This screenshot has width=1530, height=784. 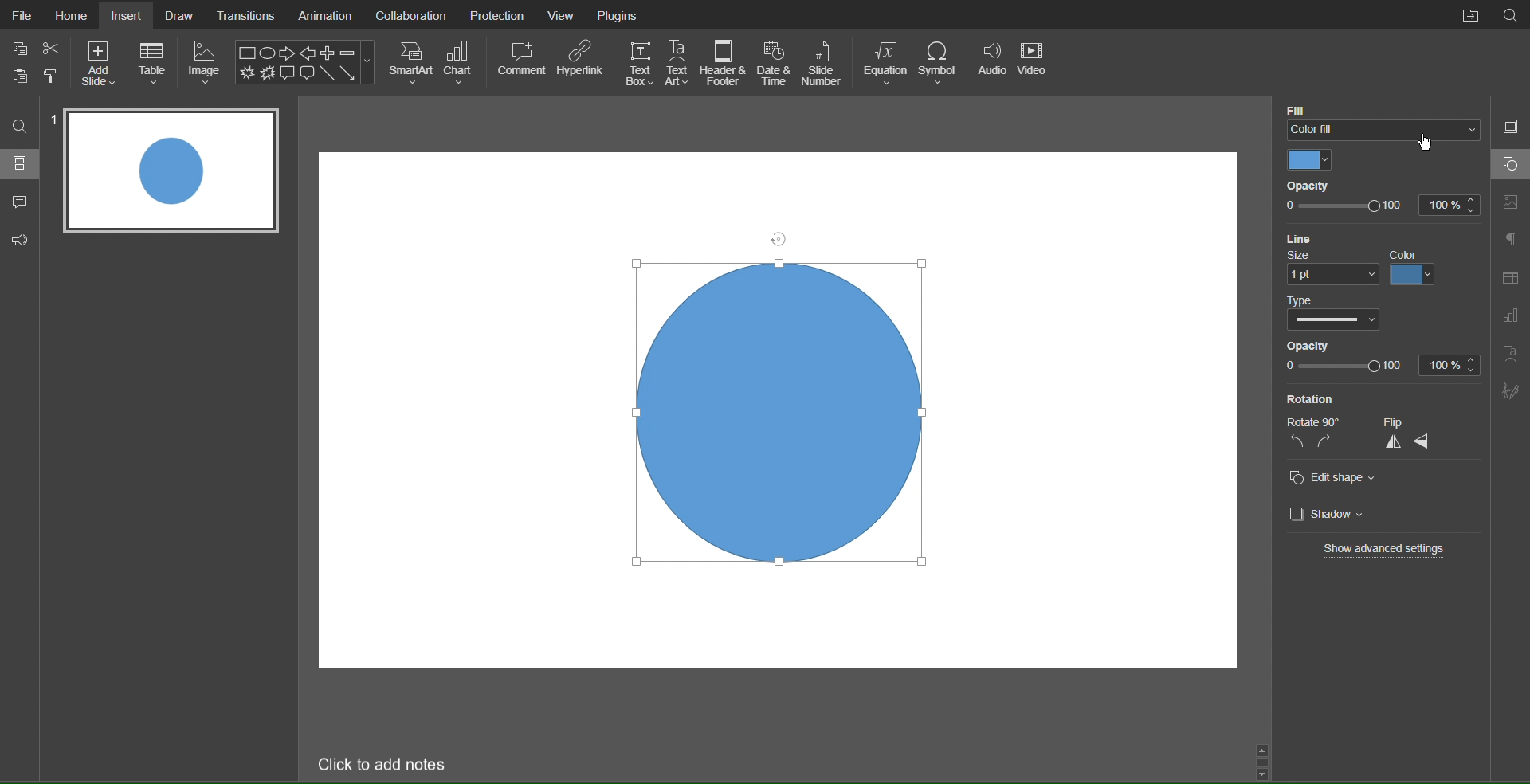 What do you see at coordinates (1308, 160) in the screenshot?
I see `Color` at bounding box center [1308, 160].